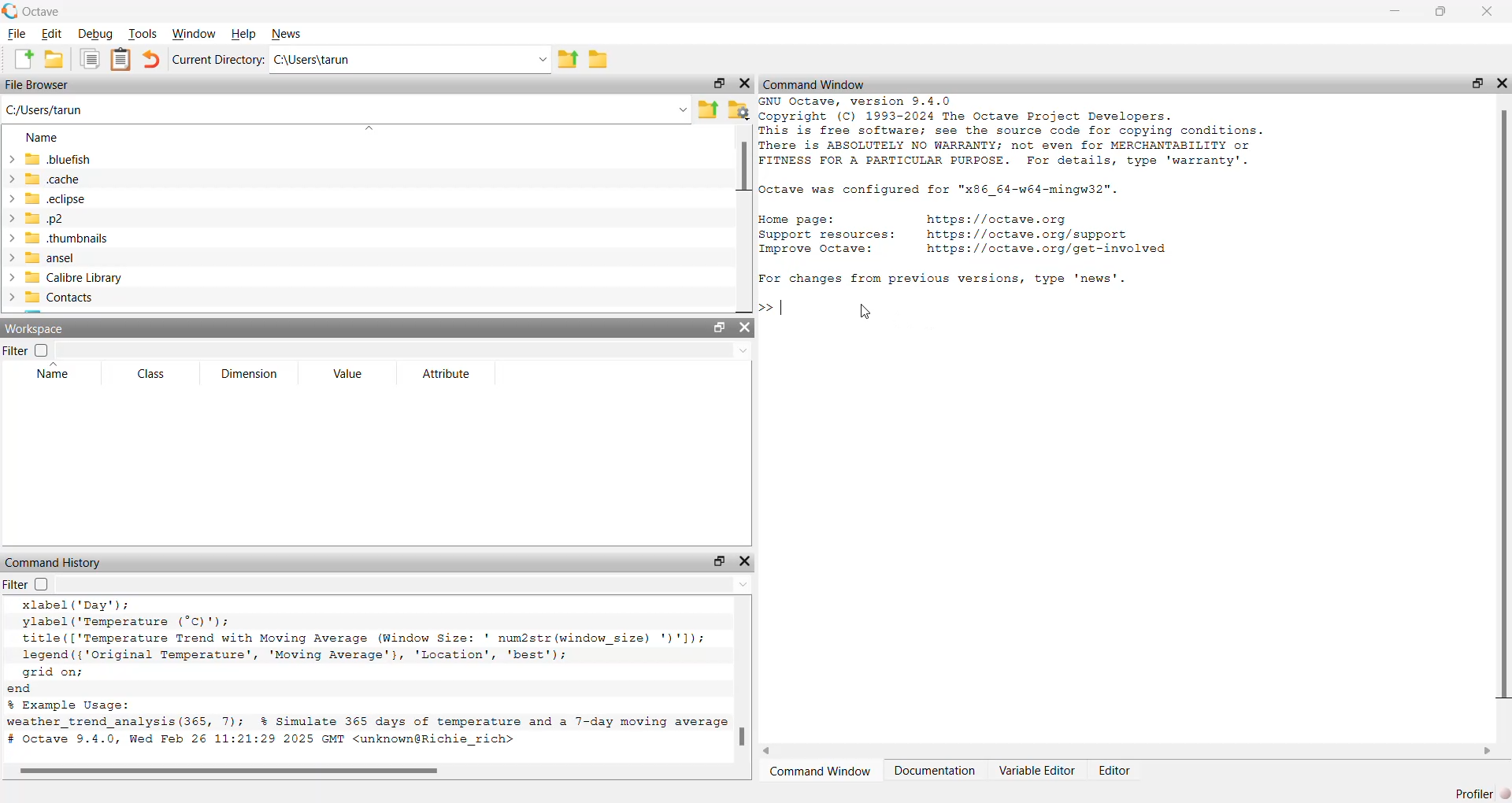 The image size is (1512, 803). I want to click on add, so click(18, 58).